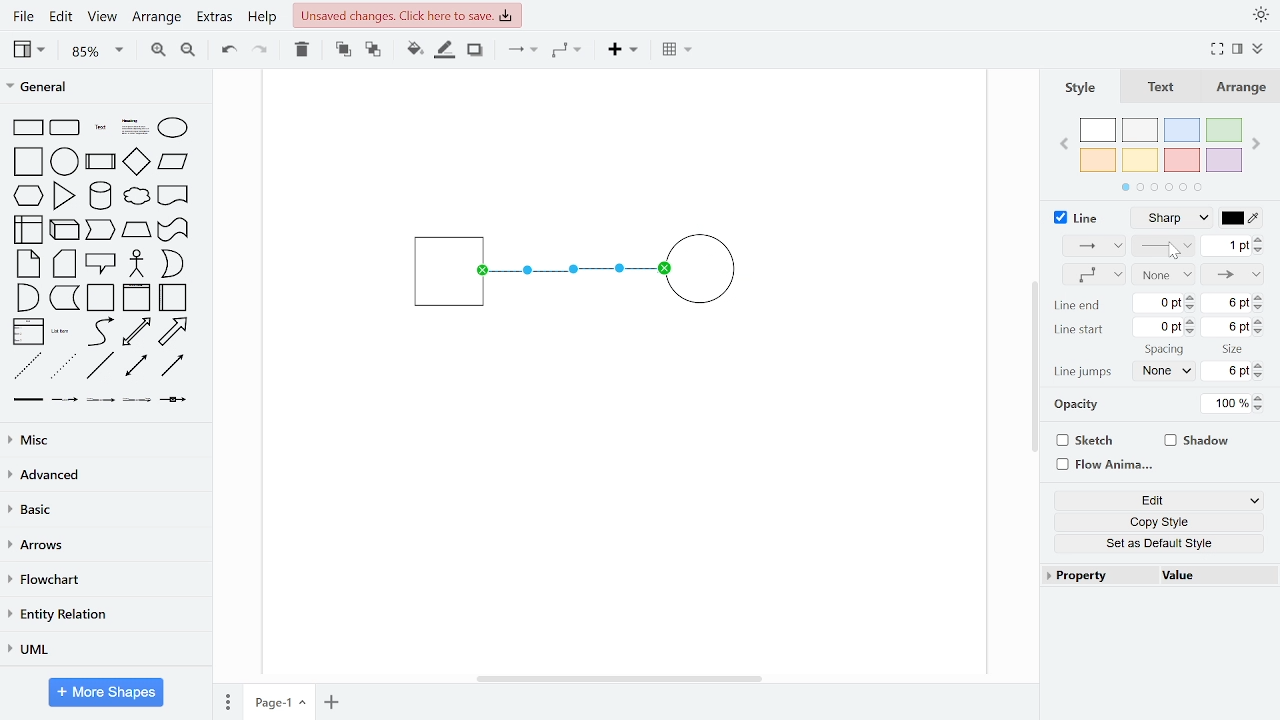 The height and width of the screenshot is (720, 1280). I want to click on line, so click(100, 366).